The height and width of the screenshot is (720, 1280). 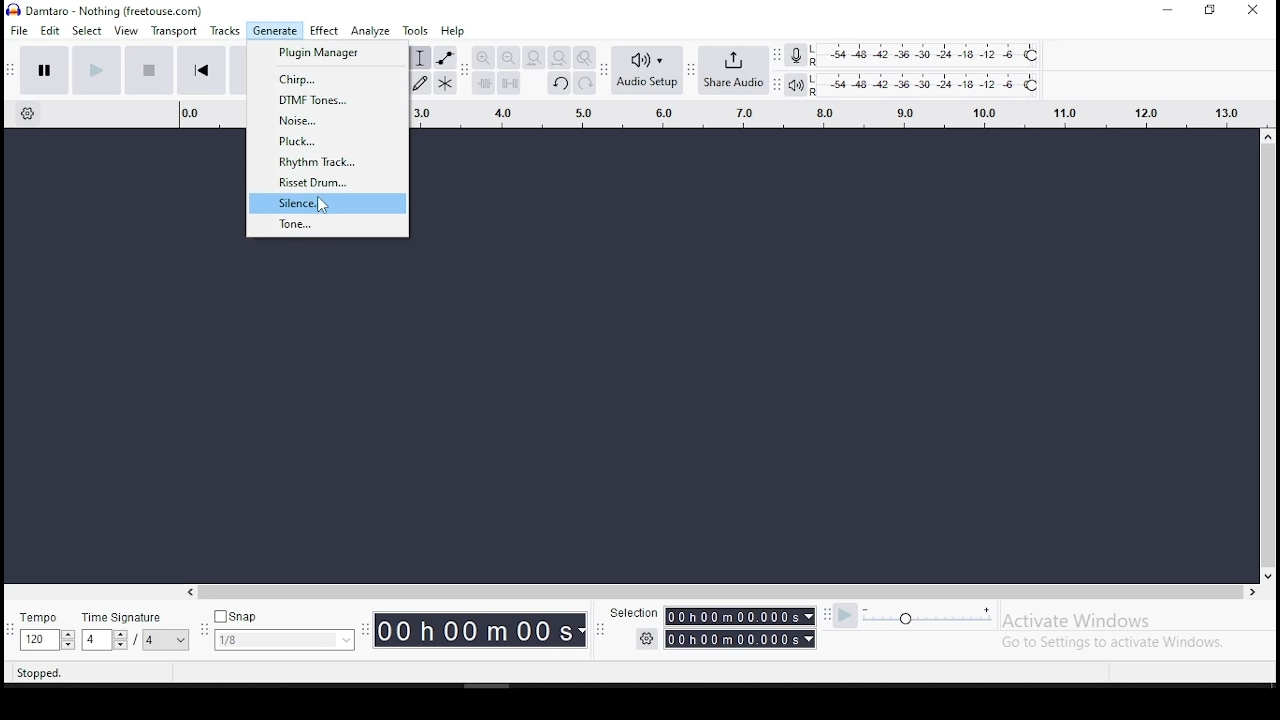 I want to click on stopped, so click(x=36, y=673).